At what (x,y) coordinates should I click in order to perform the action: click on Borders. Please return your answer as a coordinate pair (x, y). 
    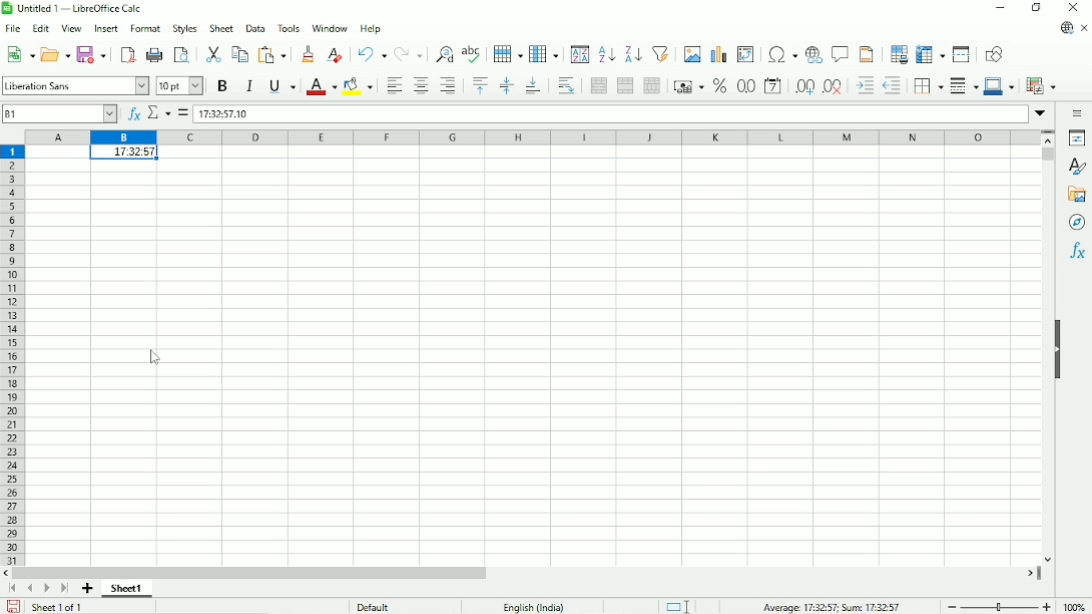
    Looking at the image, I should click on (928, 85).